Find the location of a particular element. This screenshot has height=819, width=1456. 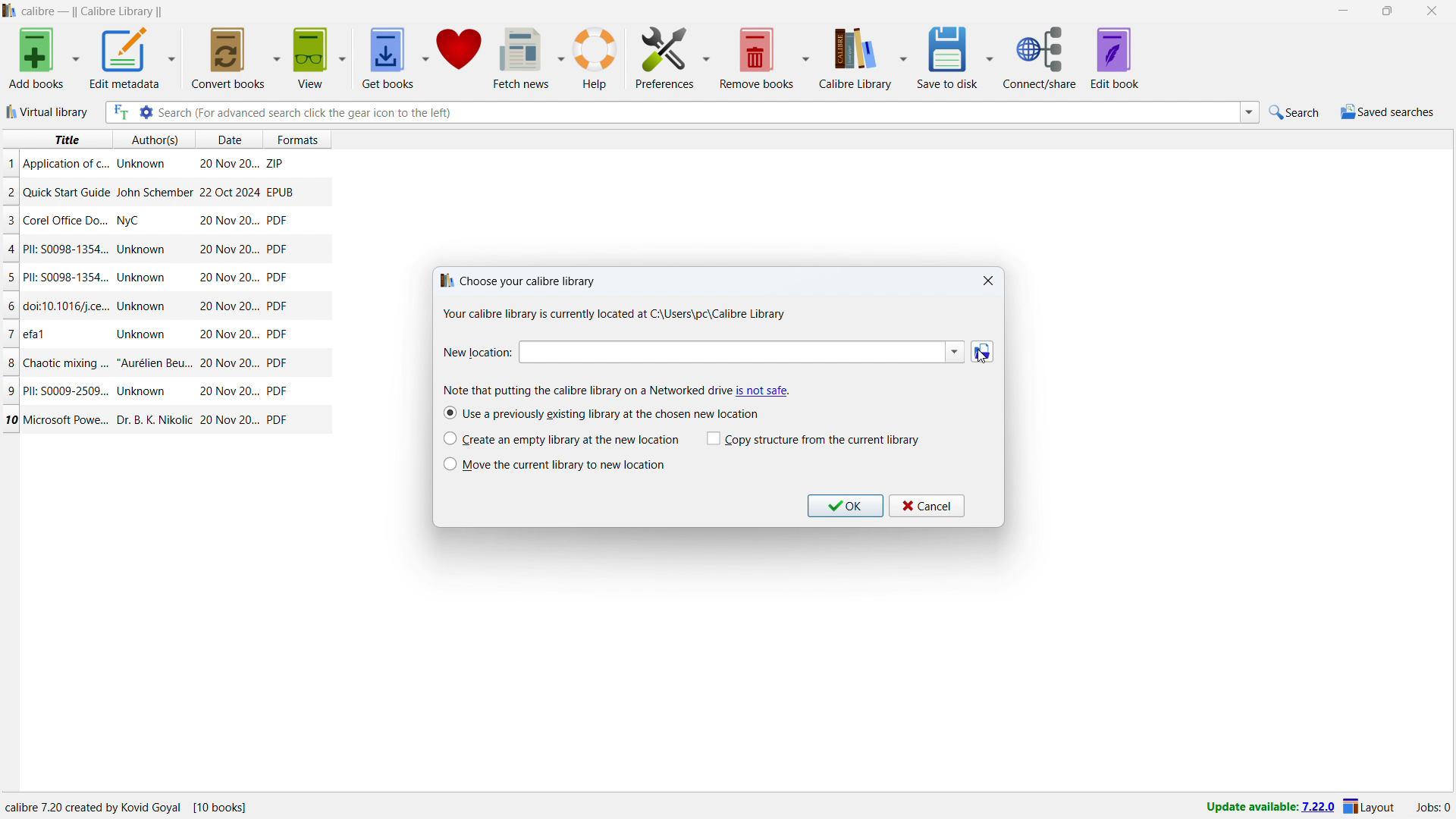

enter search string is located at coordinates (698, 112).